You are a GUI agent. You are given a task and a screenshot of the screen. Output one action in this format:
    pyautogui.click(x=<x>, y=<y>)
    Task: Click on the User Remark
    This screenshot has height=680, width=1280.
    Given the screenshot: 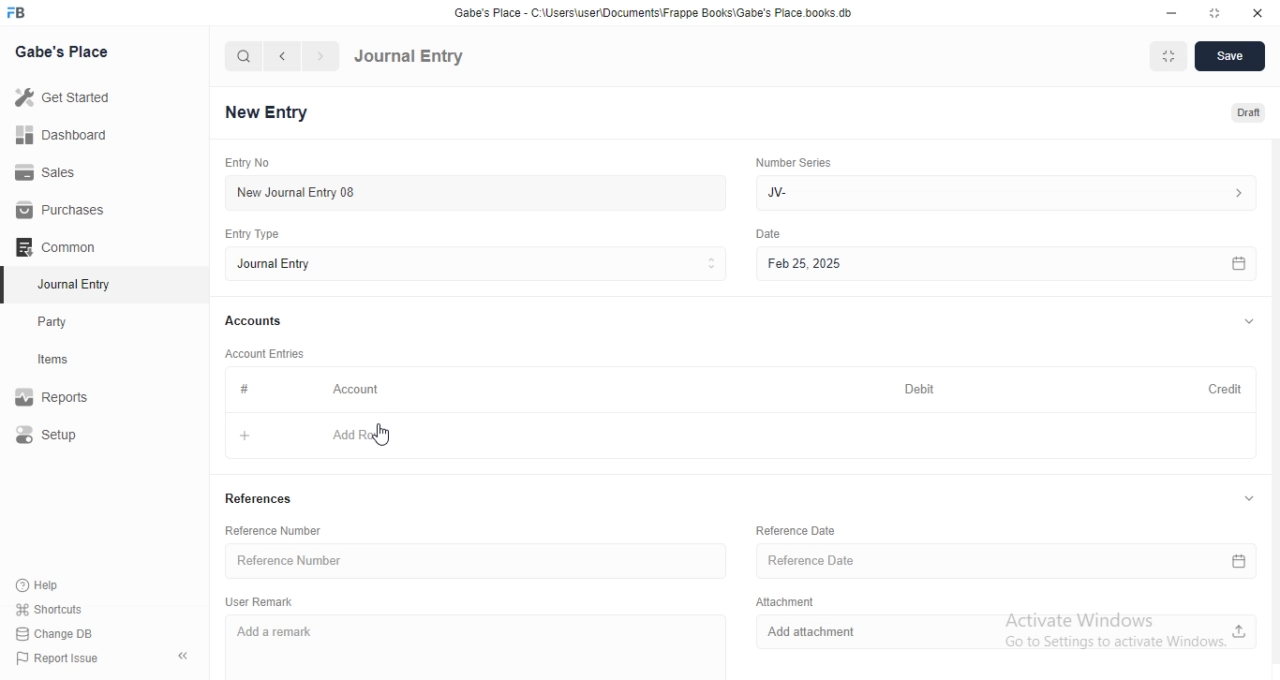 What is the action you would take?
    pyautogui.click(x=261, y=602)
    